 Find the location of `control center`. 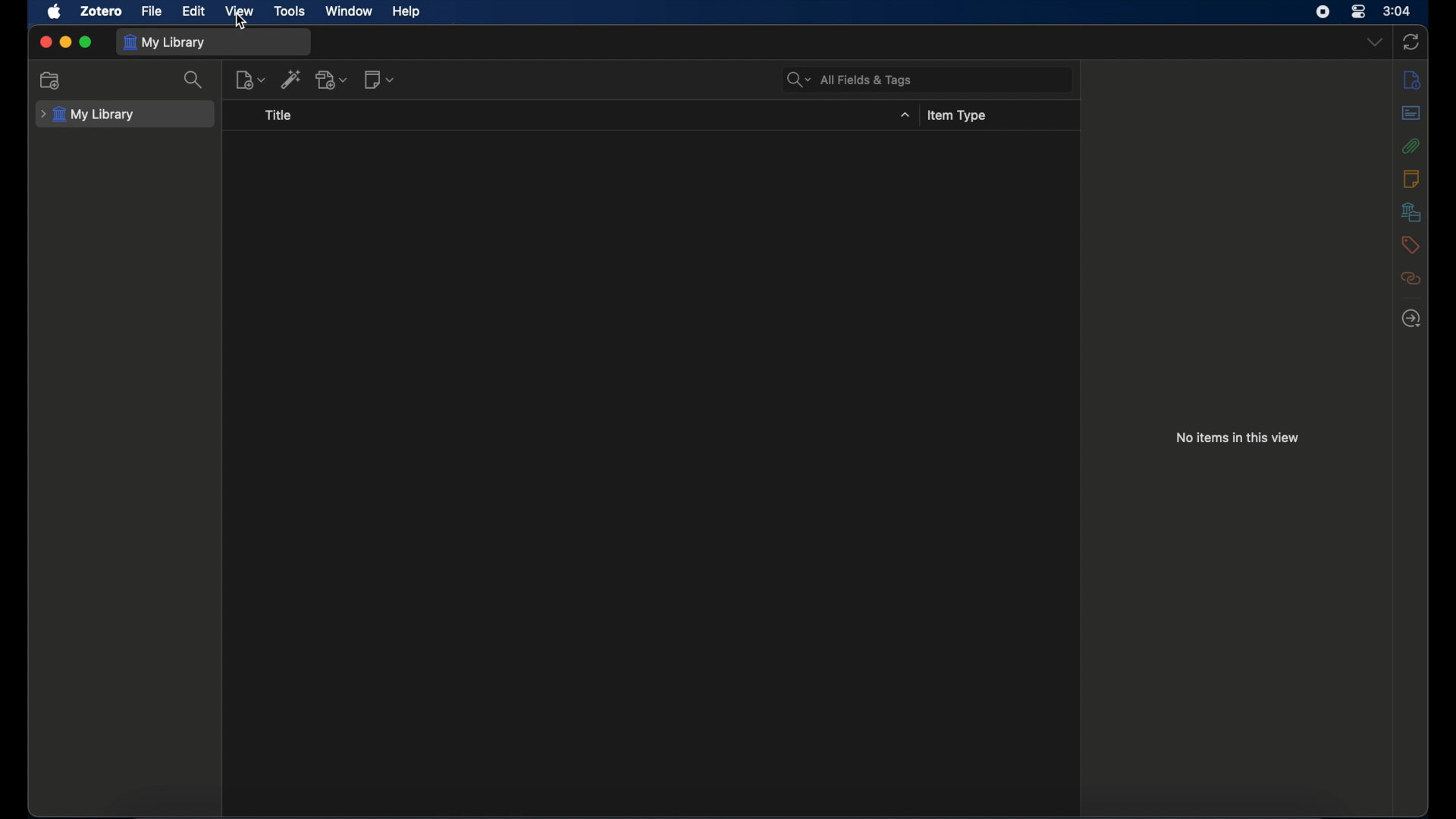

control center is located at coordinates (1359, 11).